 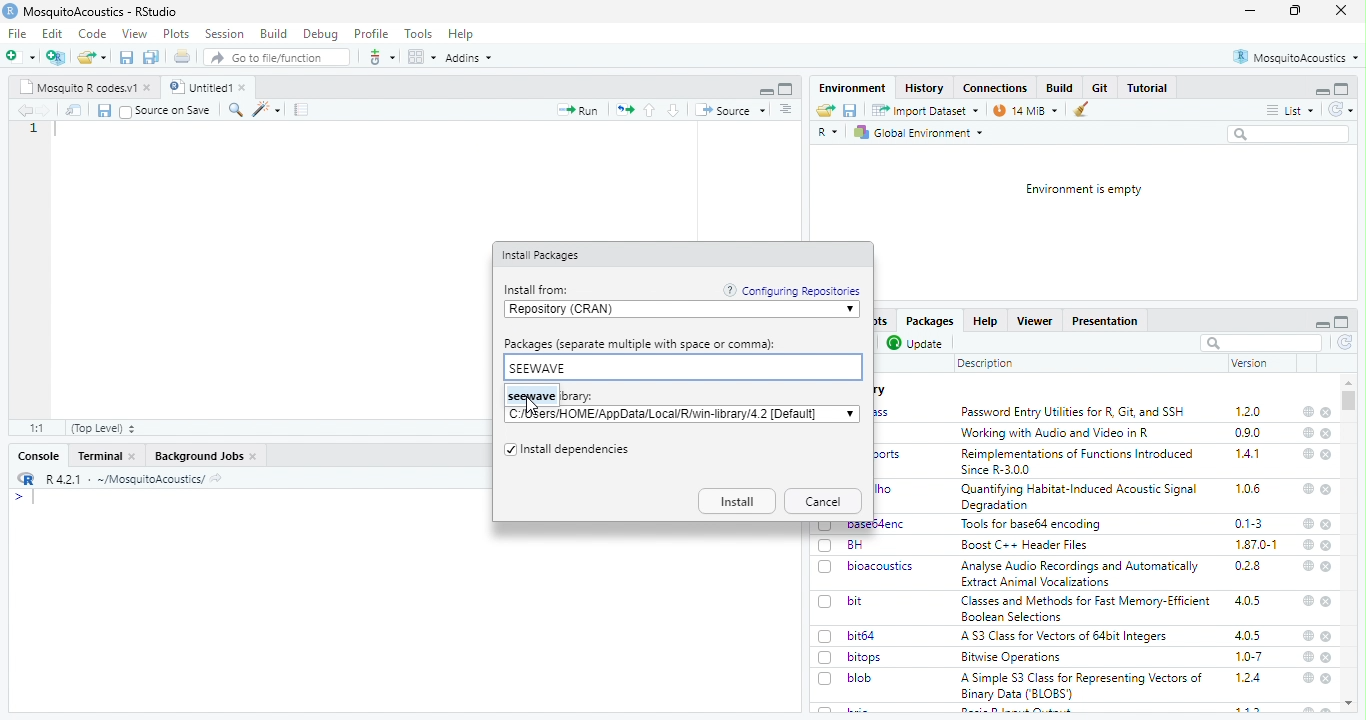 What do you see at coordinates (468, 58) in the screenshot?
I see `Addins ` at bounding box center [468, 58].